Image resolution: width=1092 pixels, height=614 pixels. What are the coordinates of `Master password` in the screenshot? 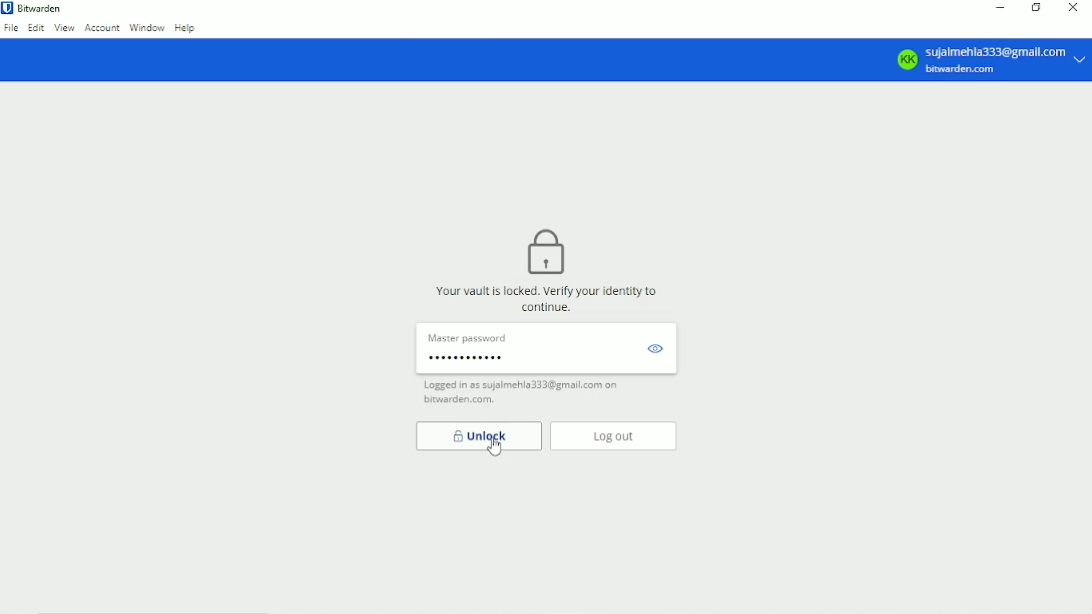 It's located at (544, 349).